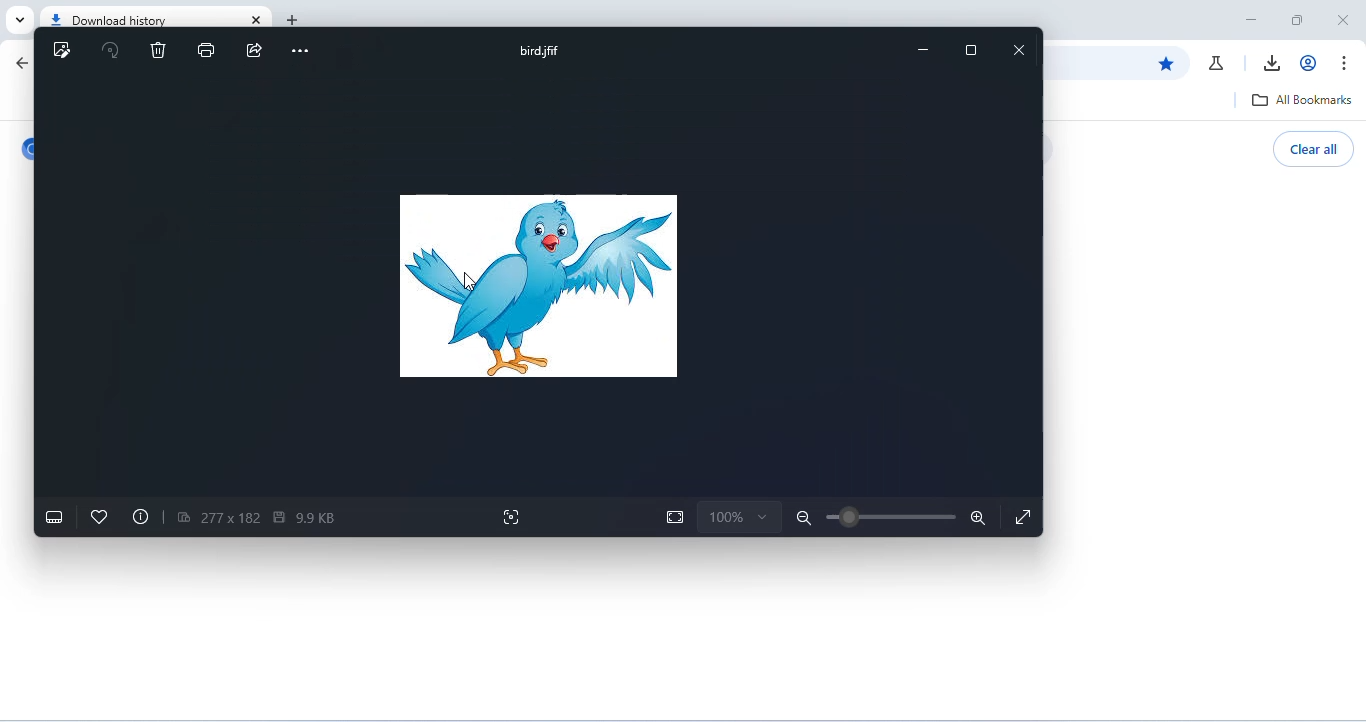 This screenshot has width=1366, height=722. I want to click on edit bookmark, so click(1166, 64).